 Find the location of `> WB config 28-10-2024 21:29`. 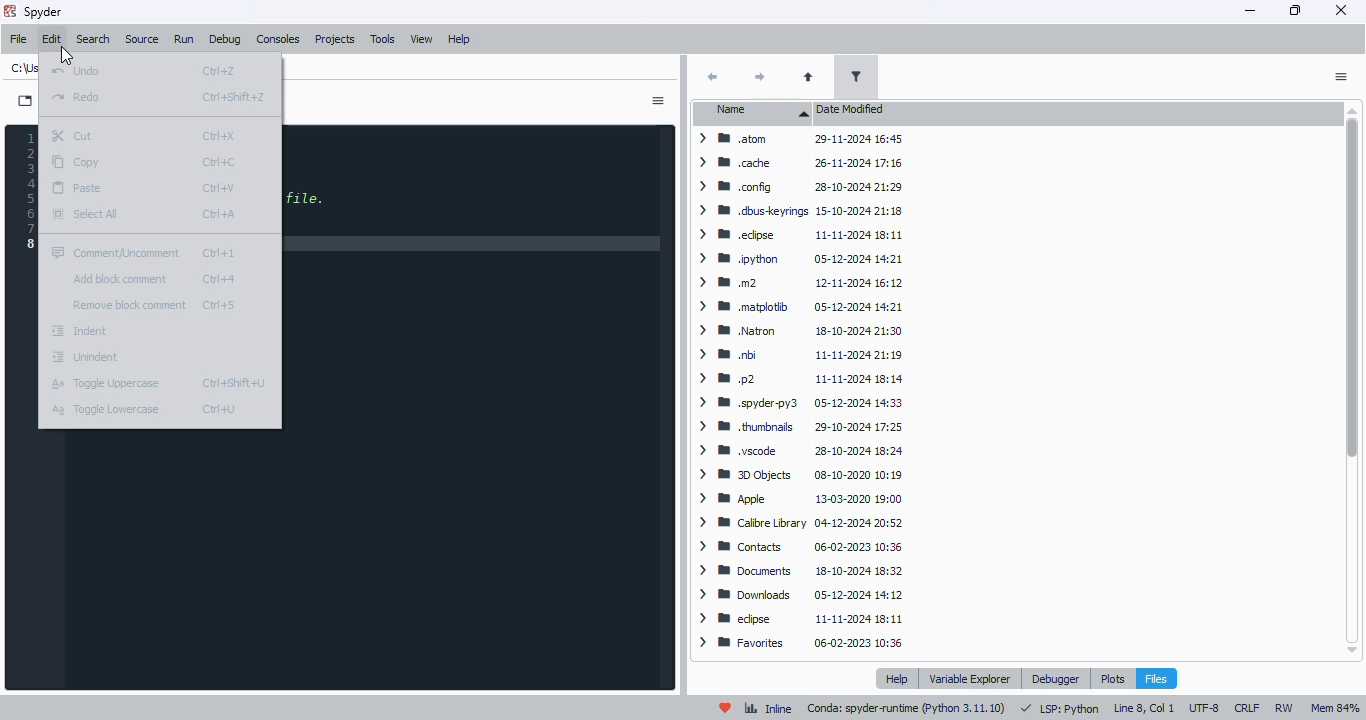

> WB config 28-10-2024 21:29 is located at coordinates (796, 186).